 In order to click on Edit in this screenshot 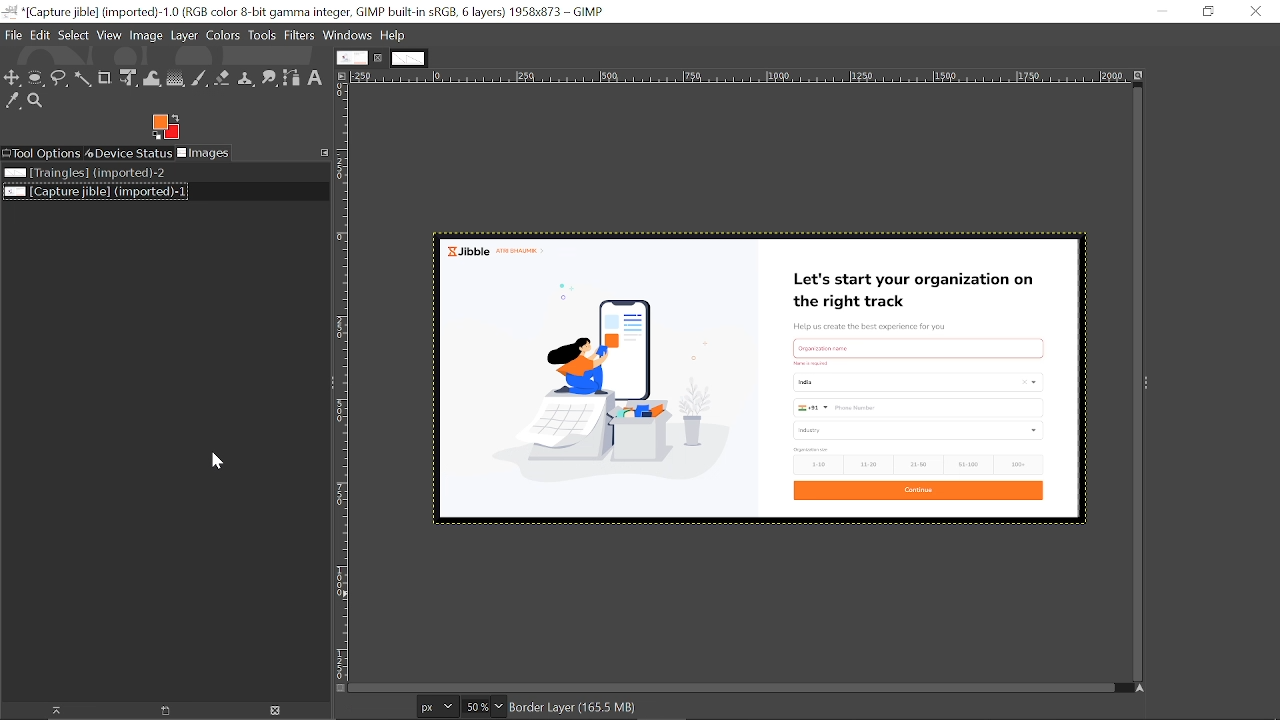, I will do `click(40, 35)`.